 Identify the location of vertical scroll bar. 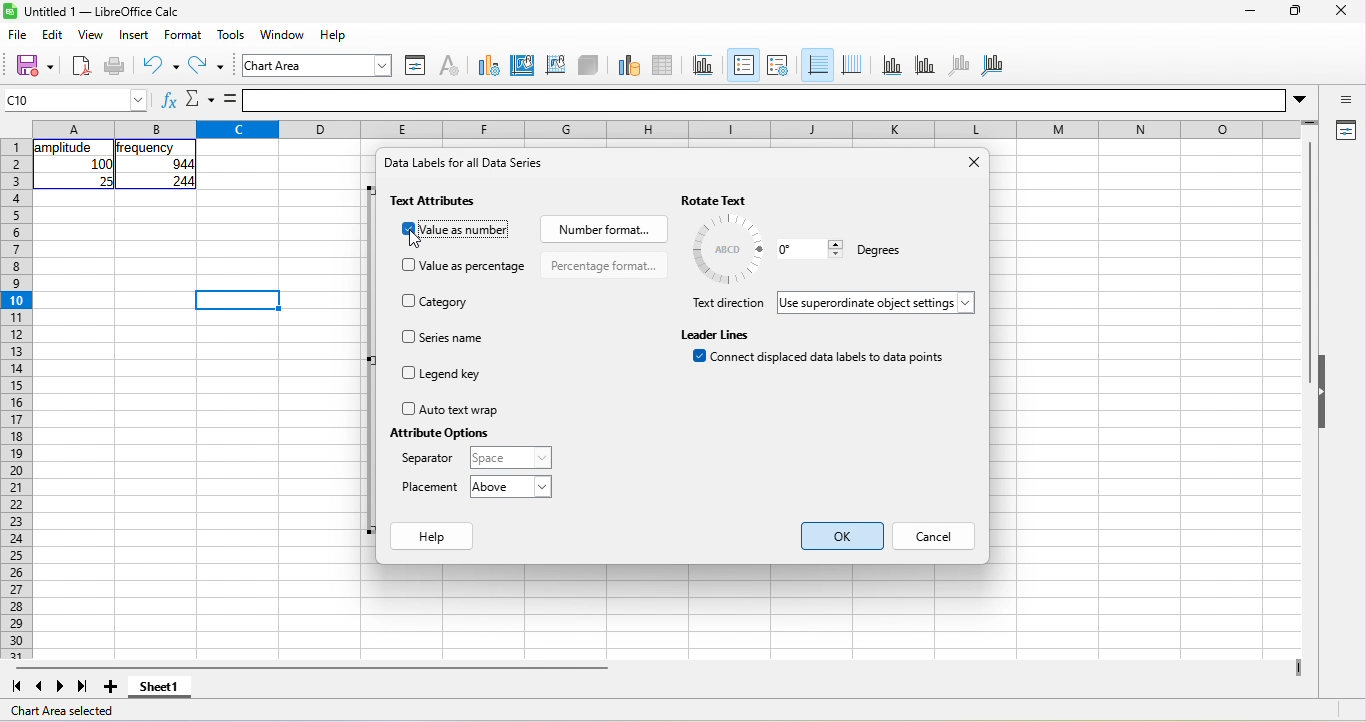
(1308, 265).